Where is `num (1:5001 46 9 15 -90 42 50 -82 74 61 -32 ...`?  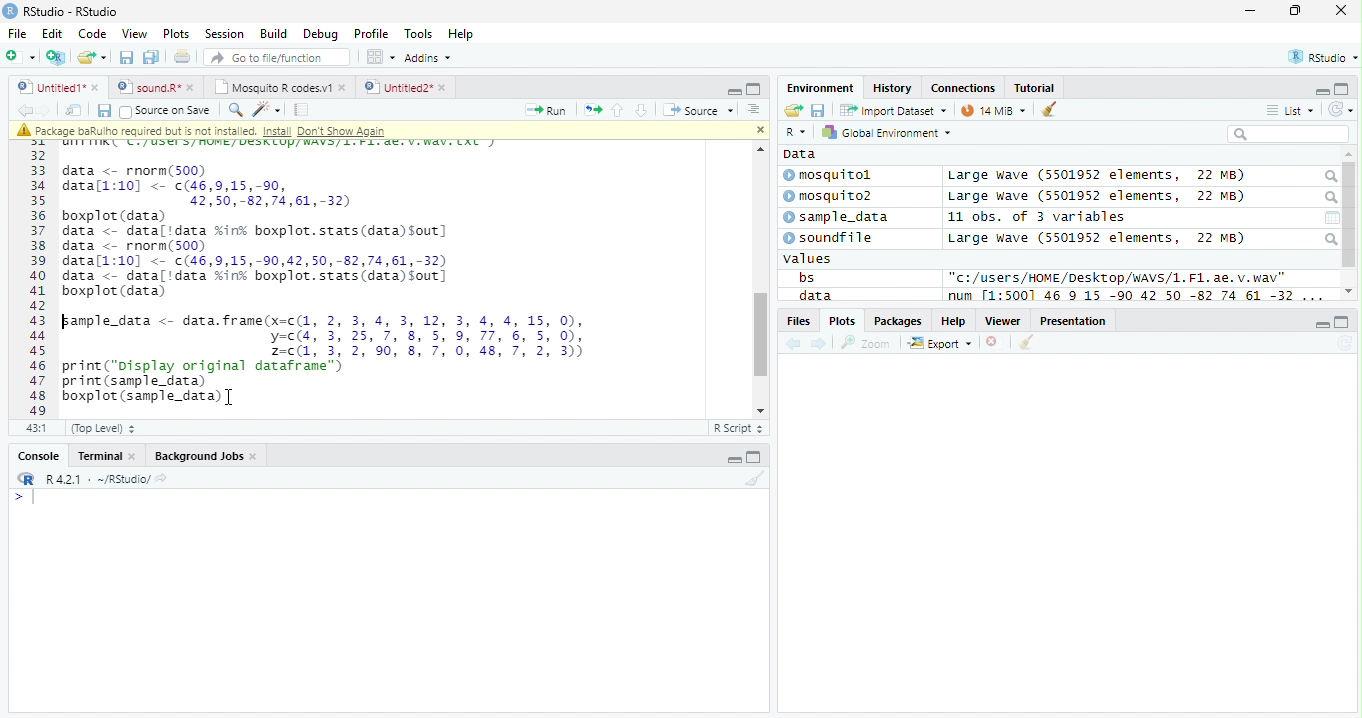 num (1:5001 46 9 15 -90 42 50 -82 74 61 -32 ... is located at coordinates (1138, 296).